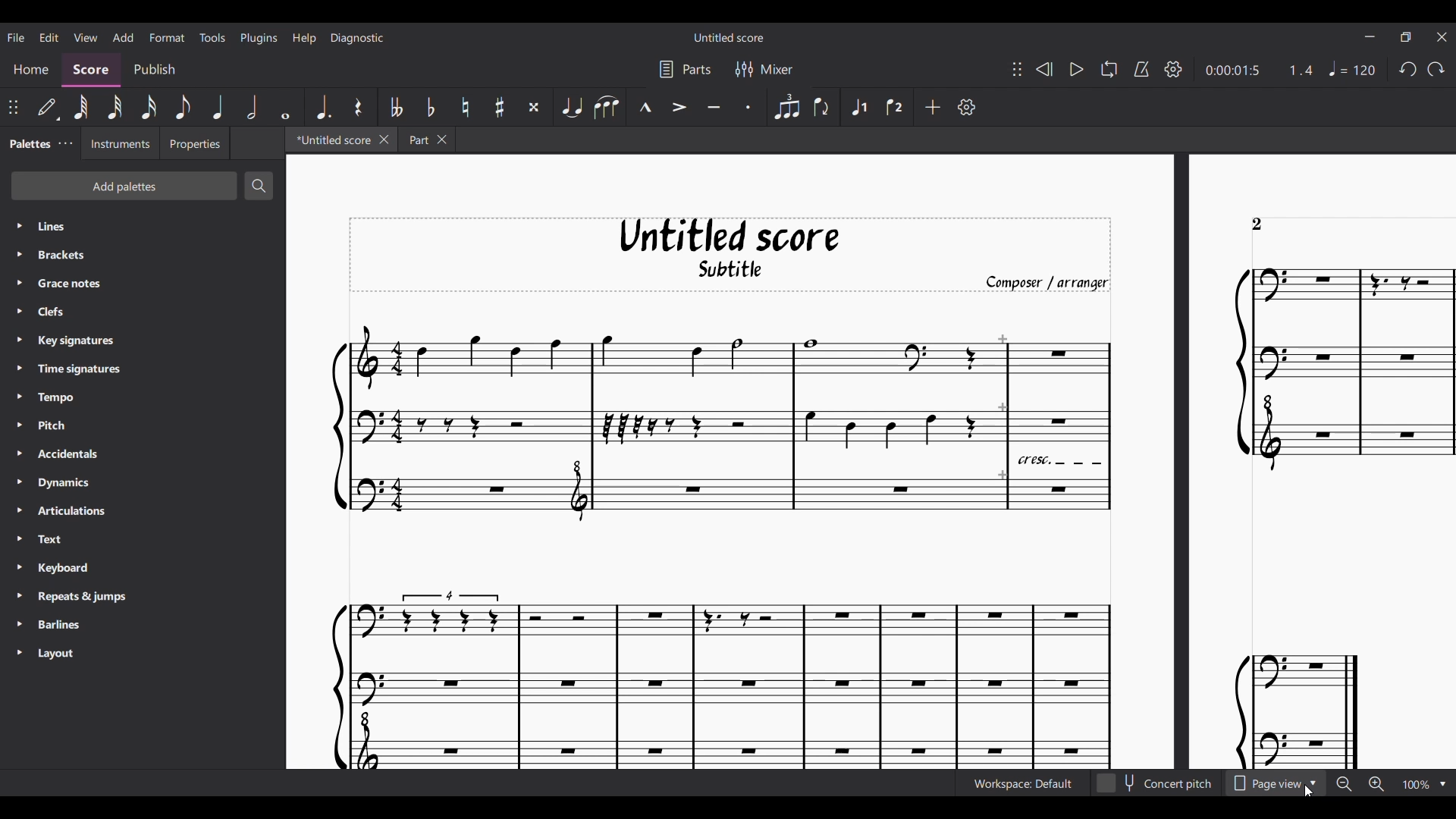 The image size is (1456, 819). Describe the element at coordinates (155, 70) in the screenshot. I see `Publish section` at that location.